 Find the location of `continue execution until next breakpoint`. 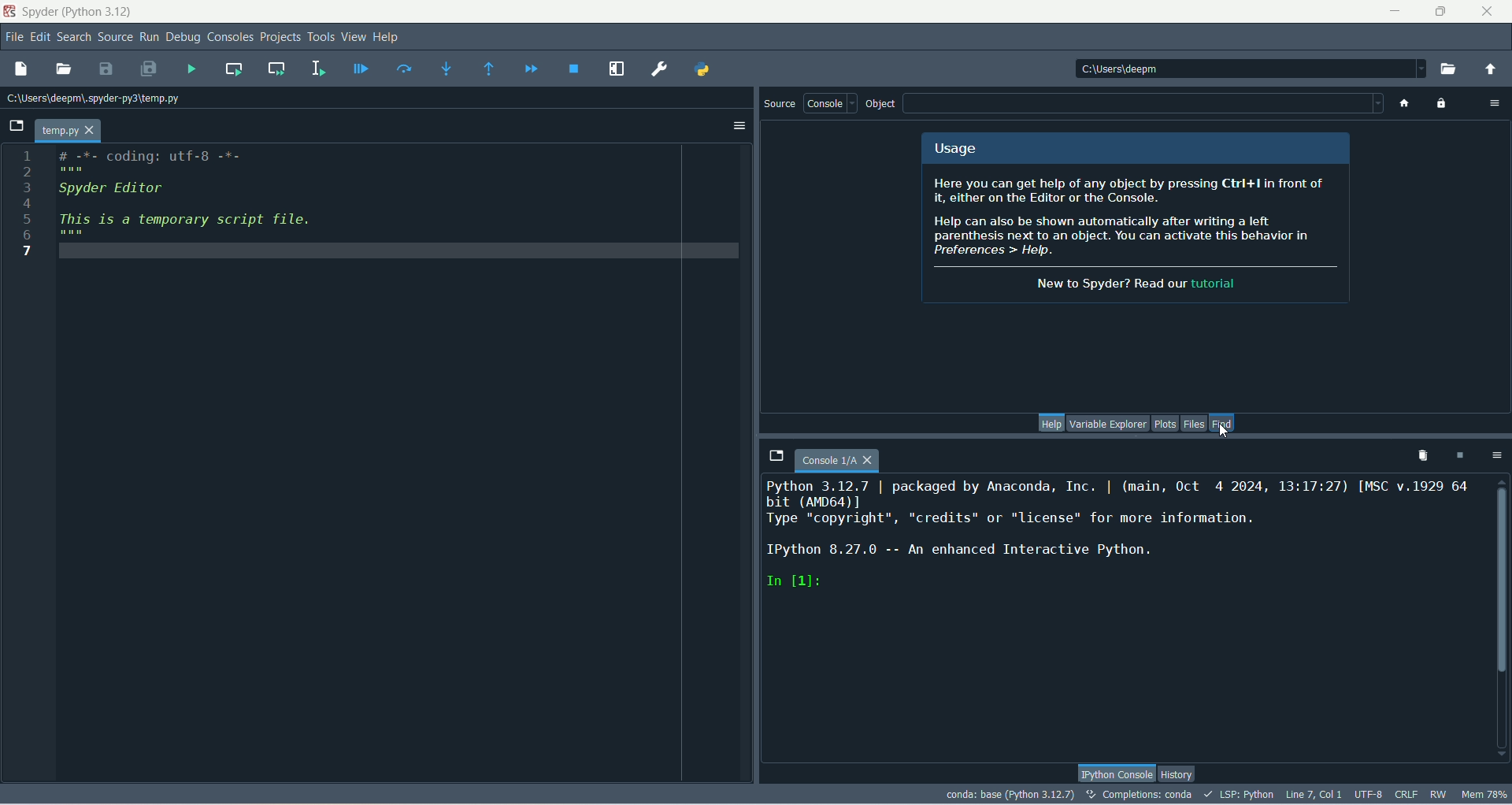

continue execution until next breakpoint is located at coordinates (529, 69).